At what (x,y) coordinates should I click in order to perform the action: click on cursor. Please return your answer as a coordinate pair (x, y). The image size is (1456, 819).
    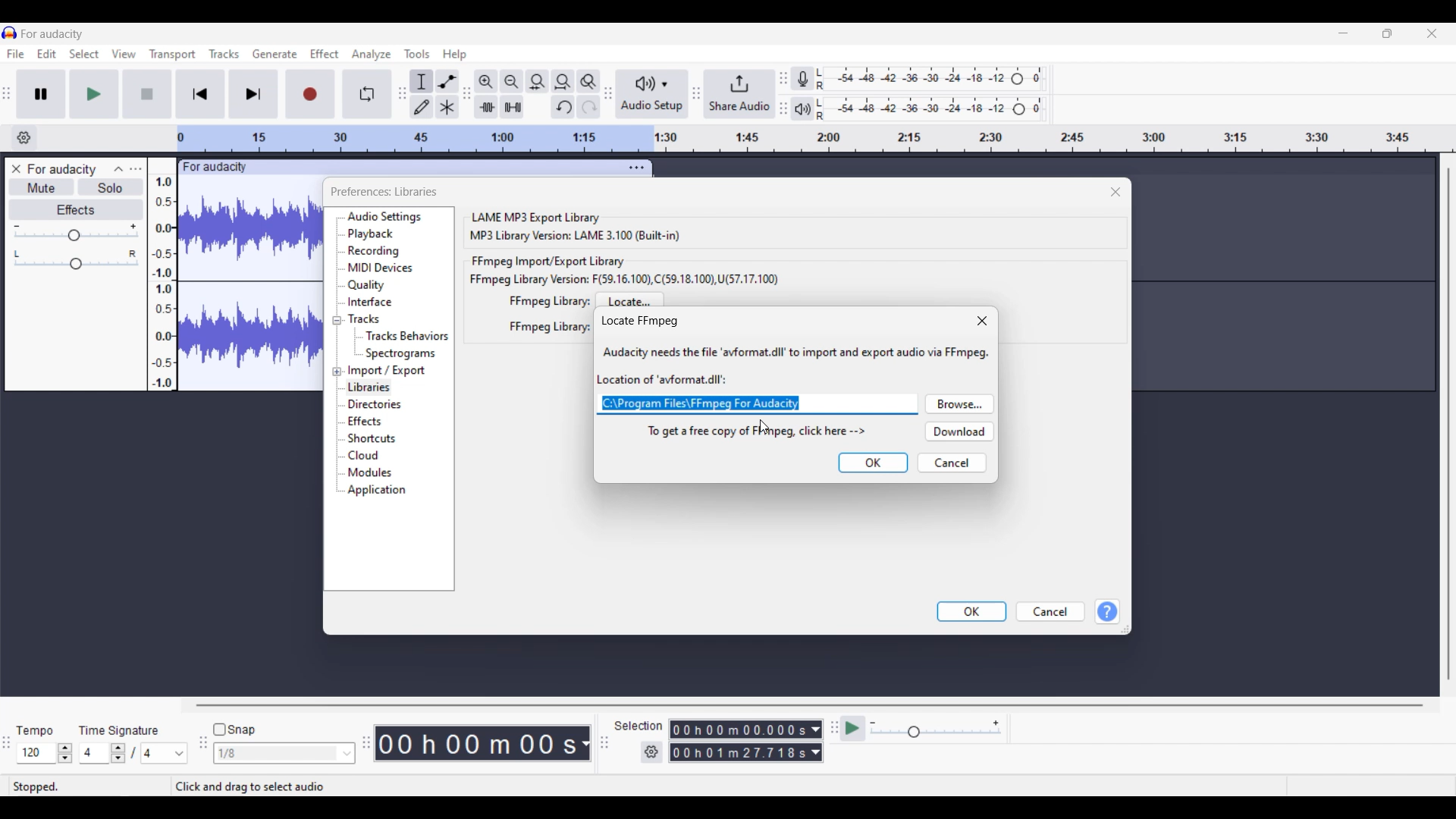
    Looking at the image, I should click on (766, 428).